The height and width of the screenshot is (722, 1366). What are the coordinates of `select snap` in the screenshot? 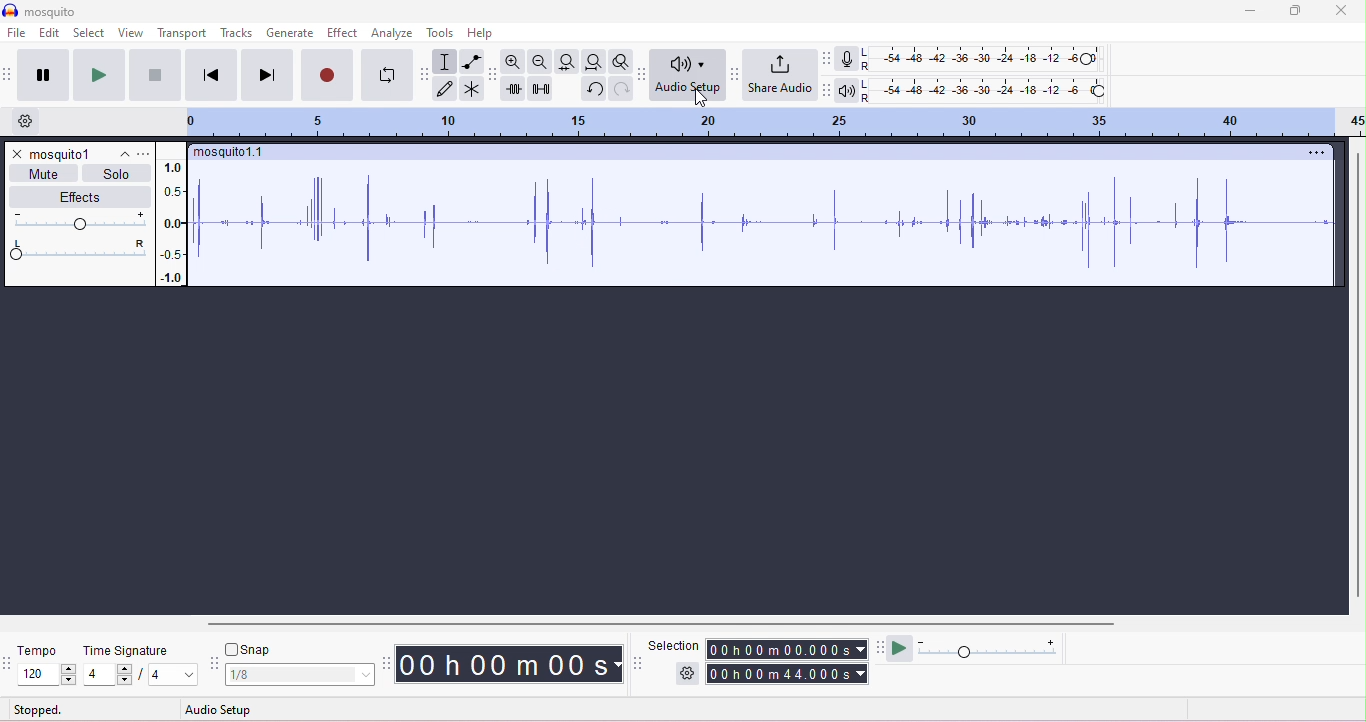 It's located at (301, 675).